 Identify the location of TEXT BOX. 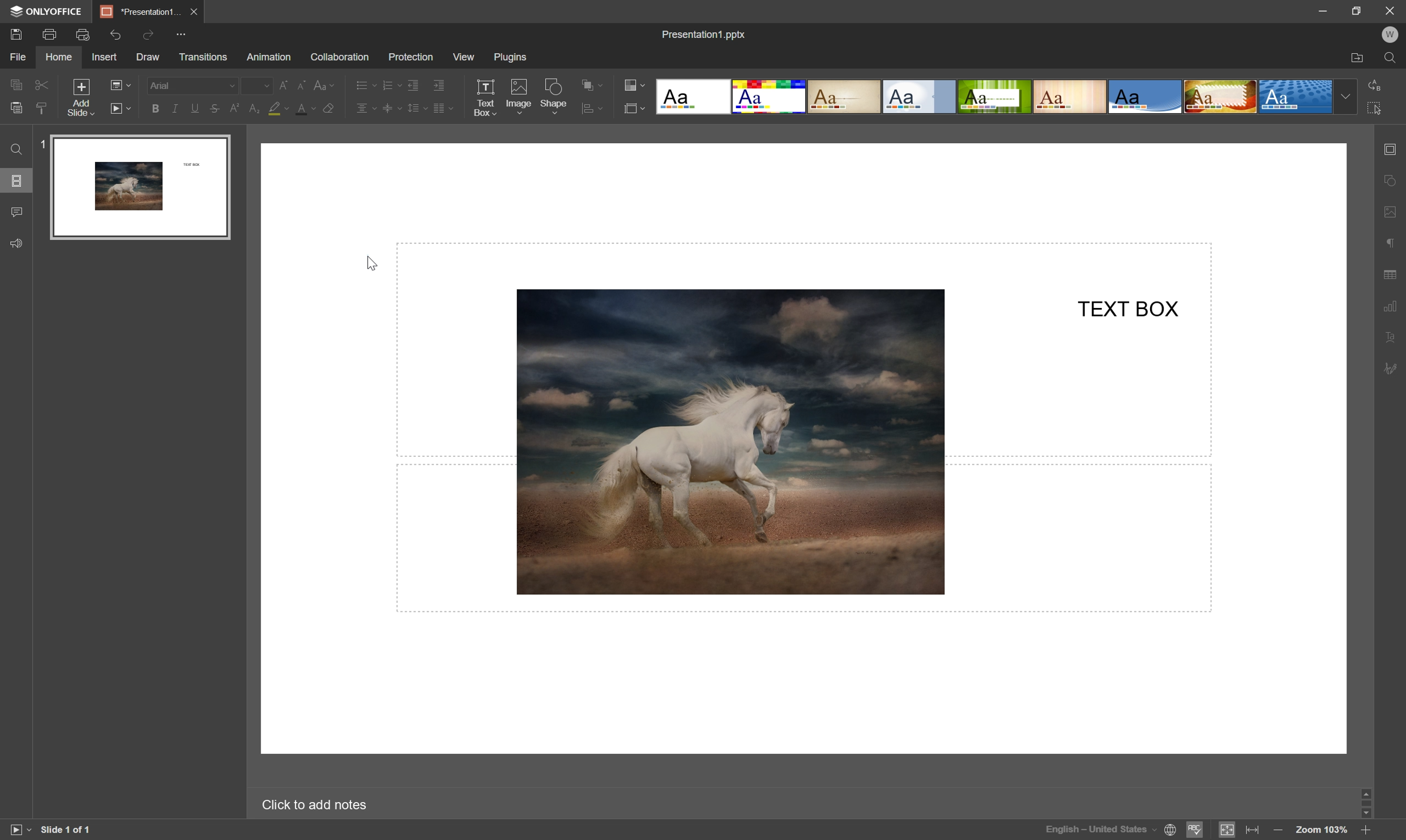
(1130, 307).